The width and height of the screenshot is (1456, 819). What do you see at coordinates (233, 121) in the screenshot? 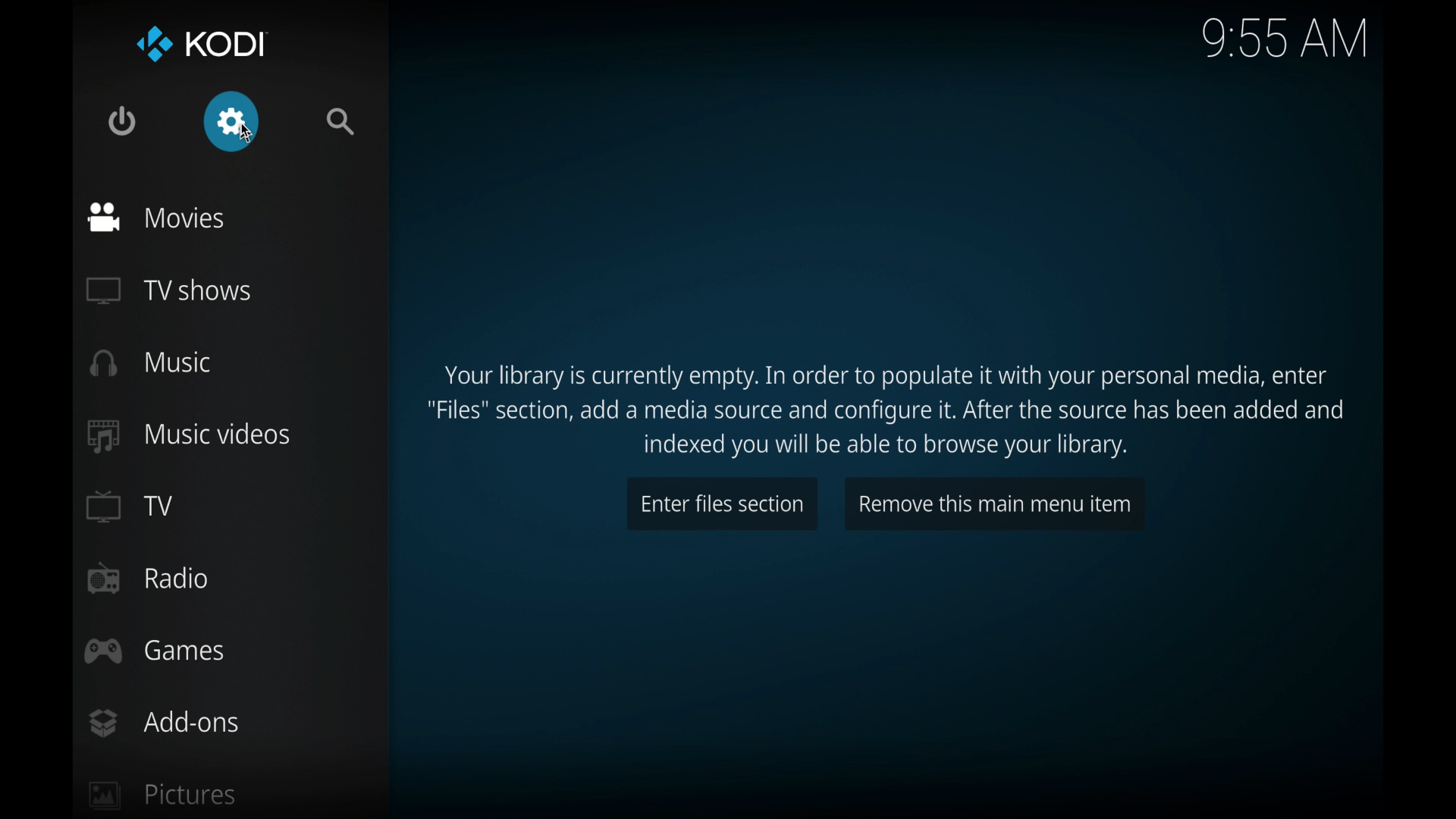
I see `settings` at bounding box center [233, 121].